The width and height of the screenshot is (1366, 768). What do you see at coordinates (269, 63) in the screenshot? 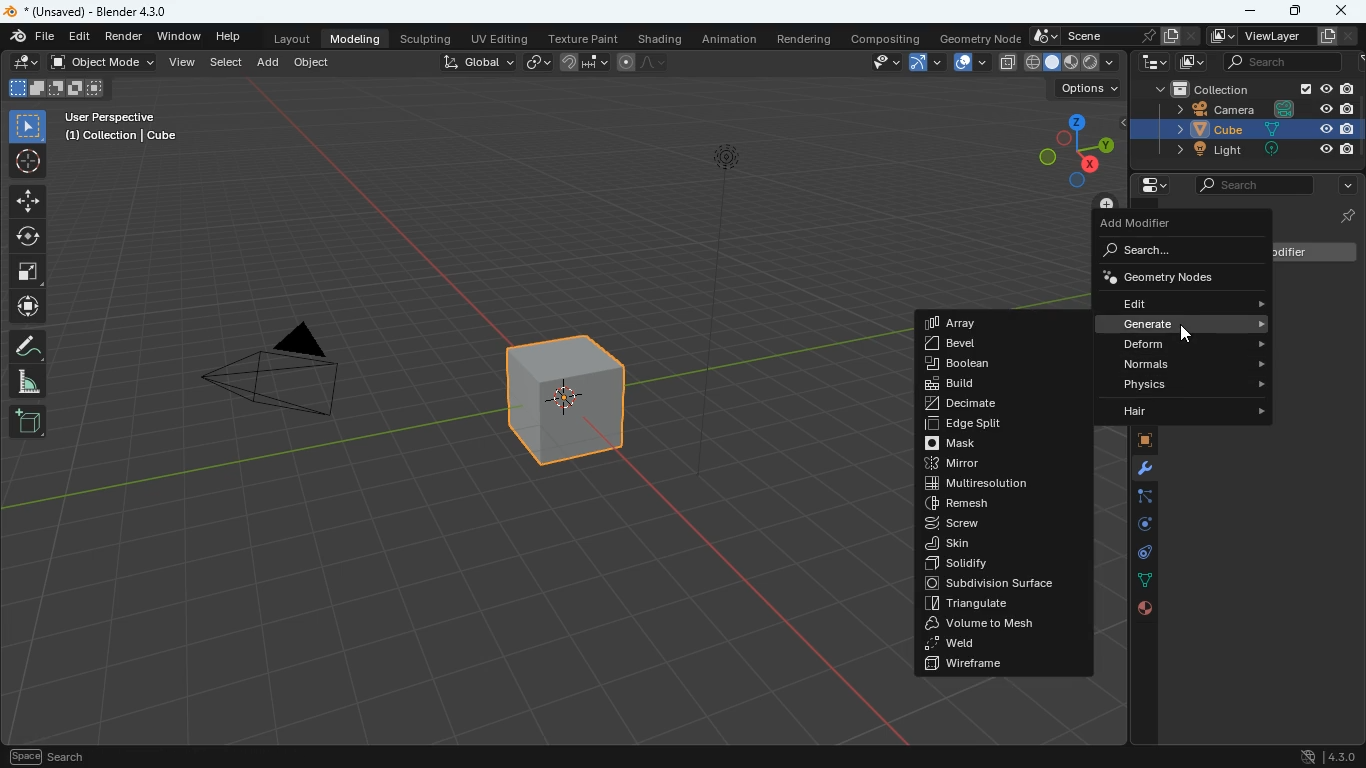
I see `add` at bounding box center [269, 63].